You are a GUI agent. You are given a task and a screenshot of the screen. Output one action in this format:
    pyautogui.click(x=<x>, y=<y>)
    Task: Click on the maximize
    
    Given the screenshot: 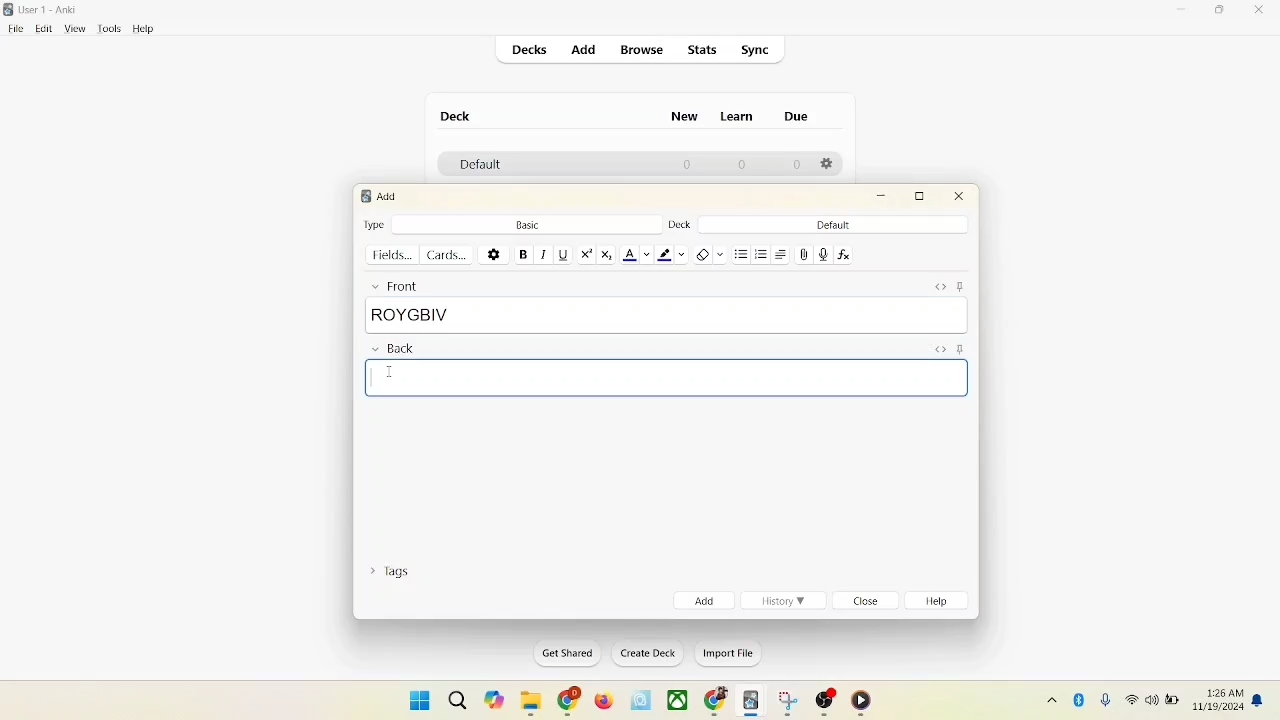 What is the action you would take?
    pyautogui.click(x=1222, y=13)
    